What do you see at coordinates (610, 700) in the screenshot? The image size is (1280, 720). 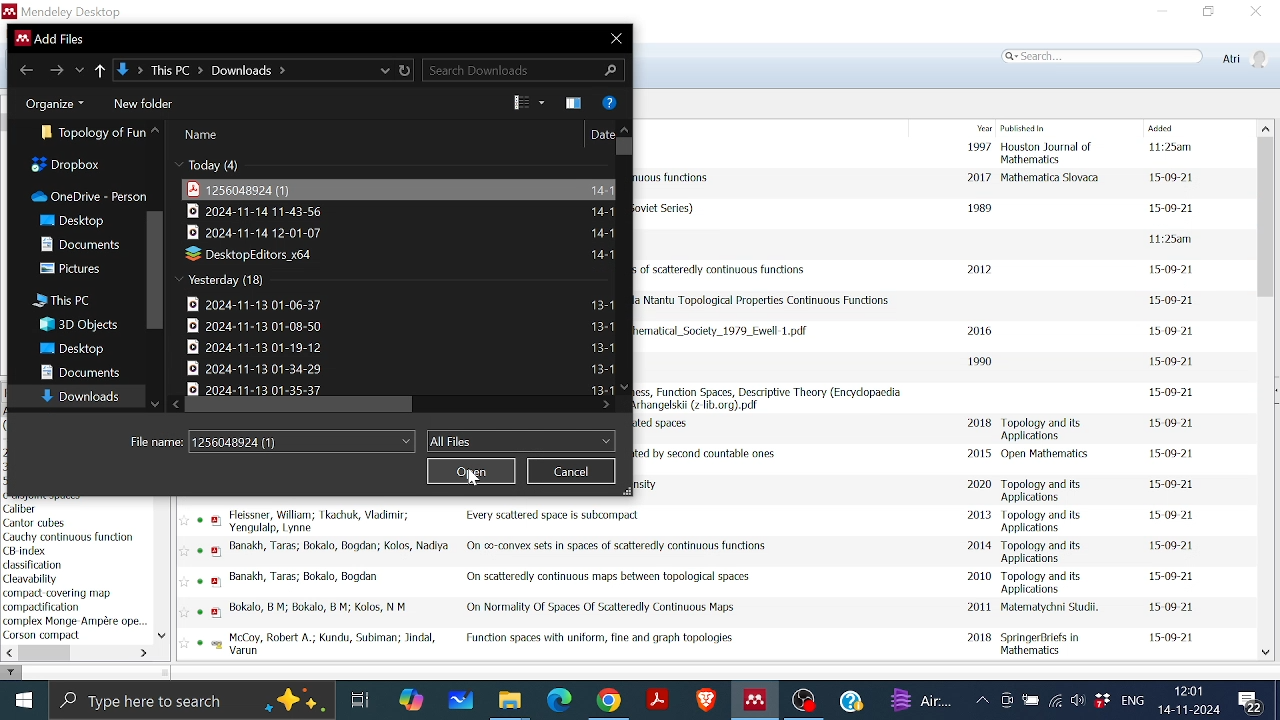 I see `Google chrome` at bounding box center [610, 700].